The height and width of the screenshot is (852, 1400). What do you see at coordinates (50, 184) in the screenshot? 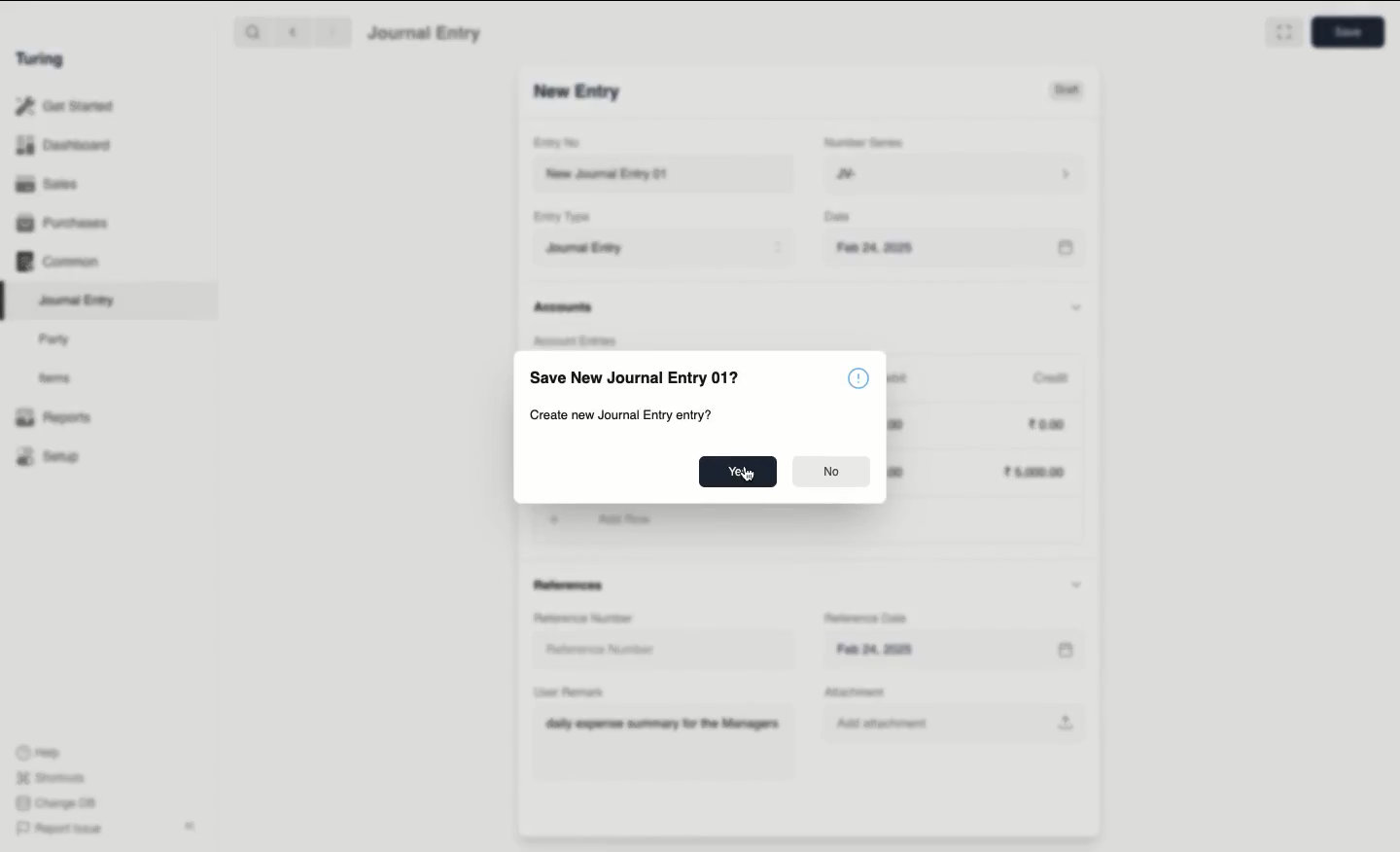
I see `Sales` at bounding box center [50, 184].